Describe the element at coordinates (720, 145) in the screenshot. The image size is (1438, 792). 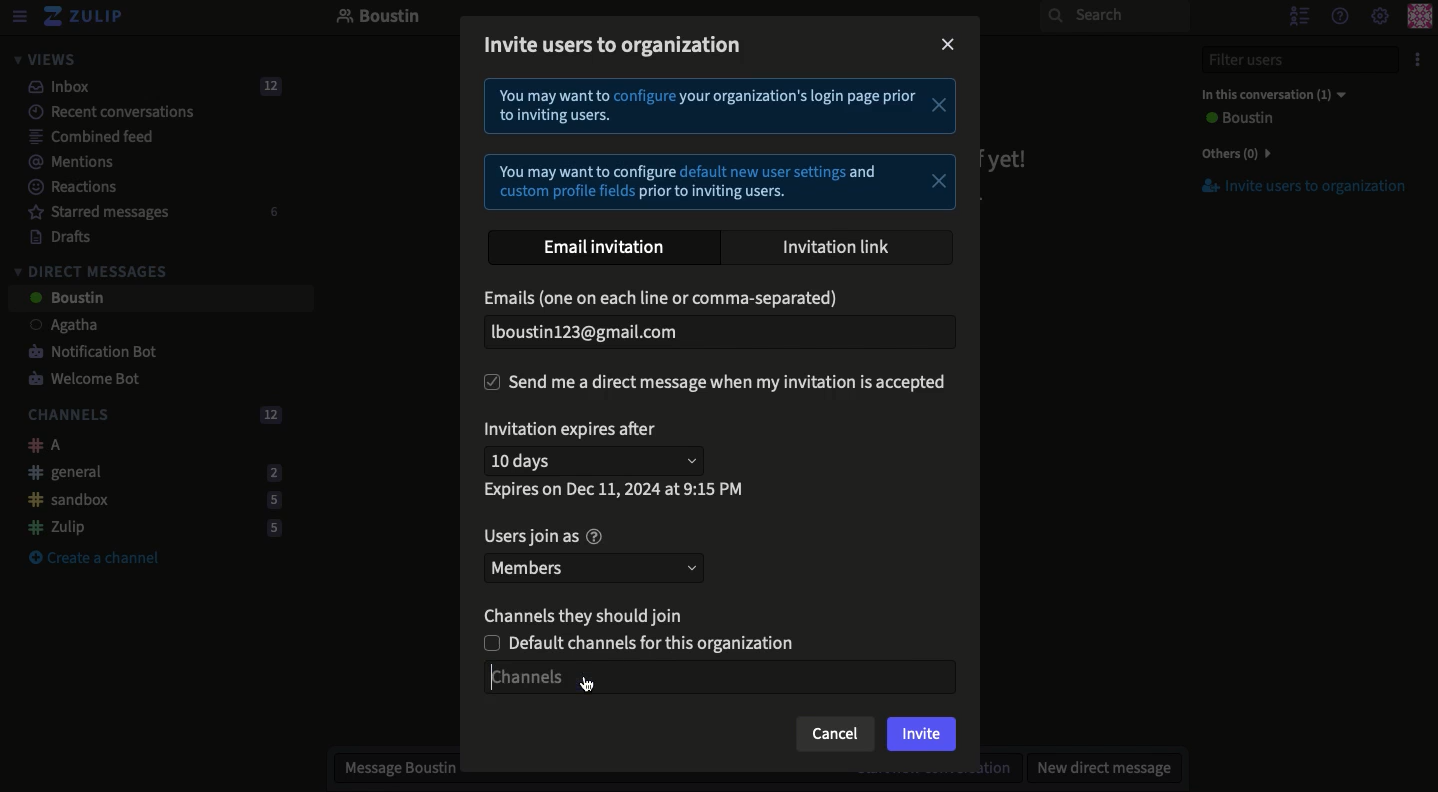
I see `Instructional text` at that location.